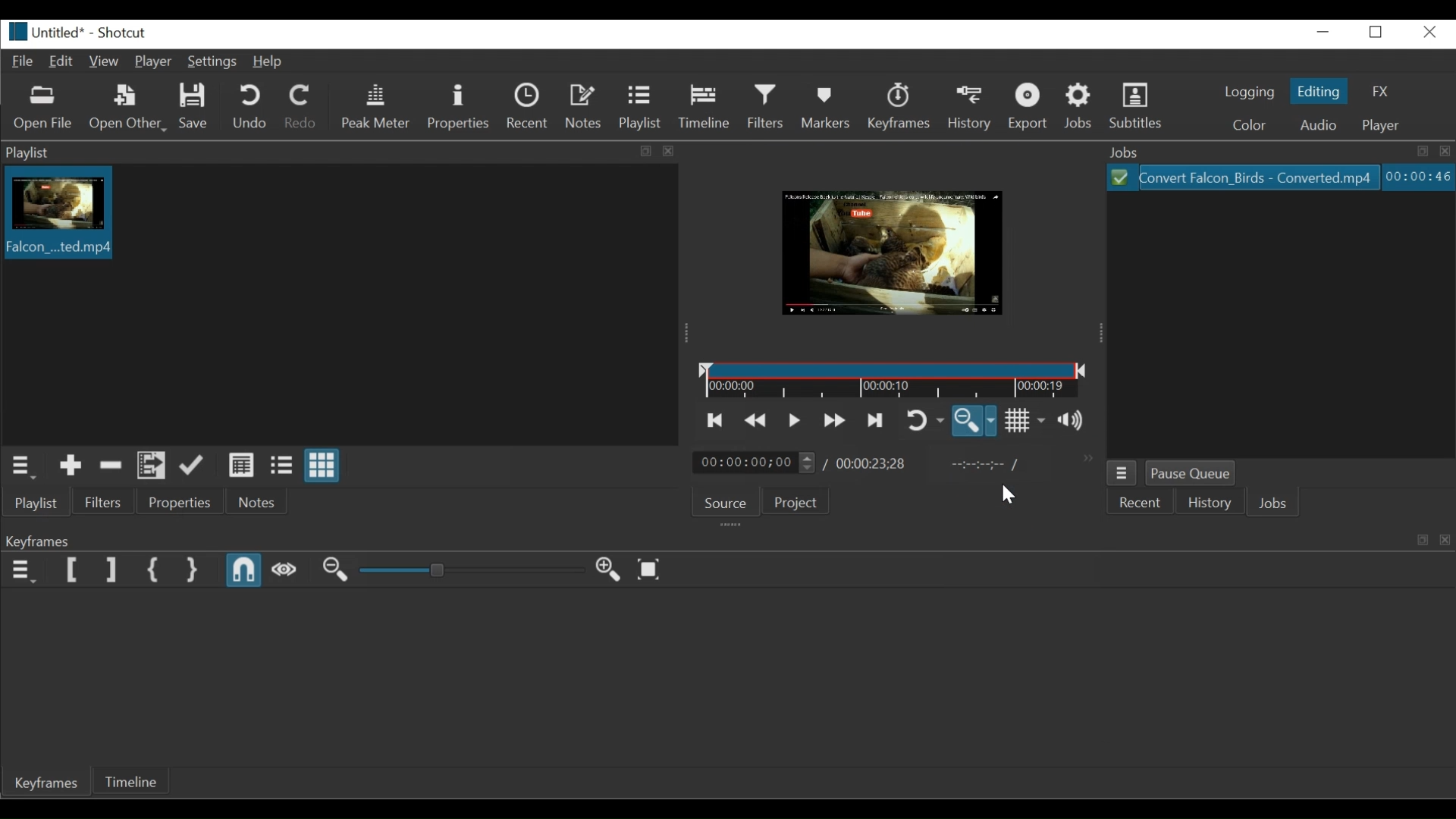  What do you see at coordinates (151, 466) in the screenshot?
I see `Add files to playlist` at bounding box center [151, 466].